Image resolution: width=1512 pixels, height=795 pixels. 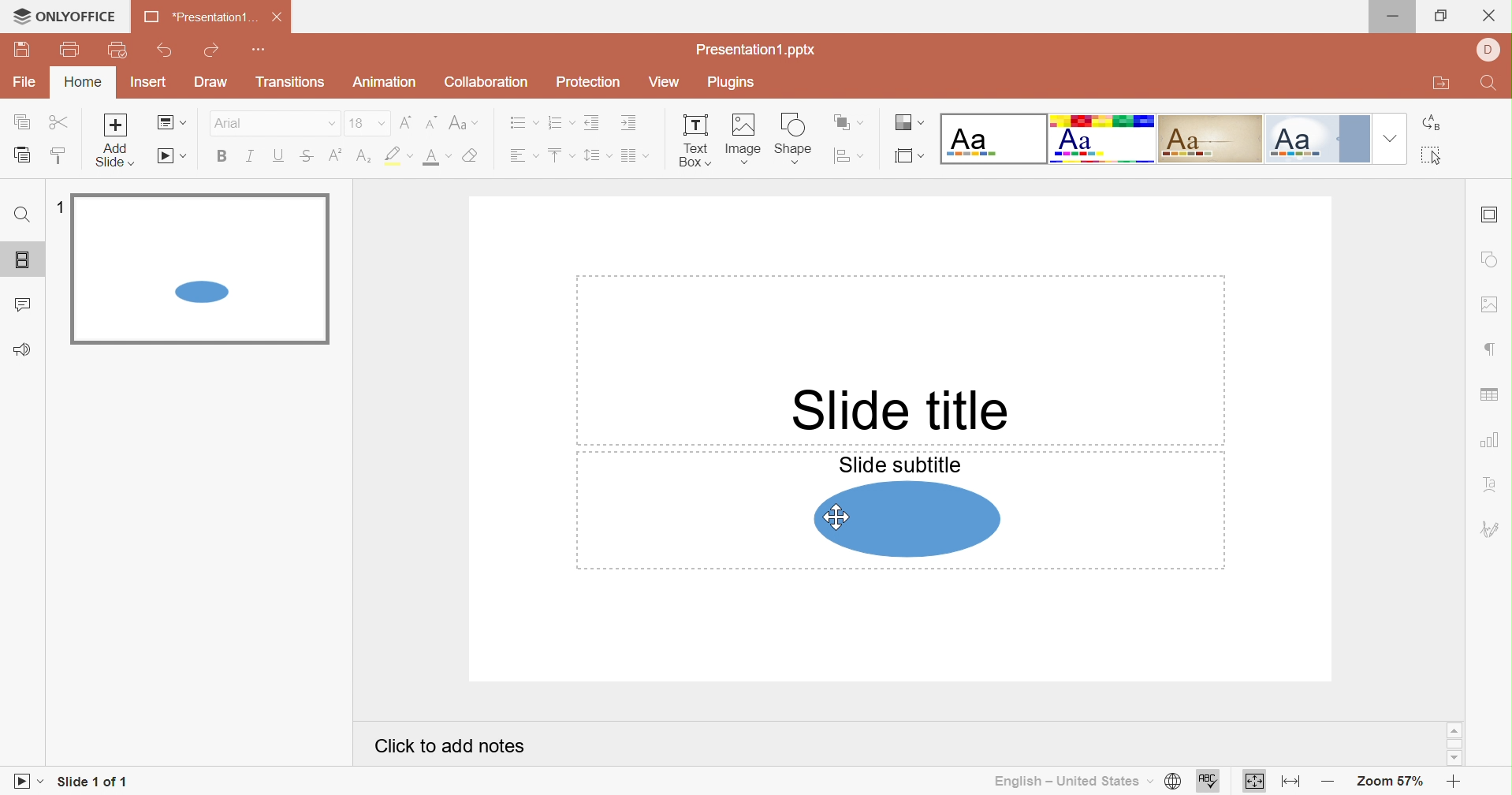 What do you see at coordinates (436, 157) in the screenshot?
I see `Font color` at bounding box center [436, 157].